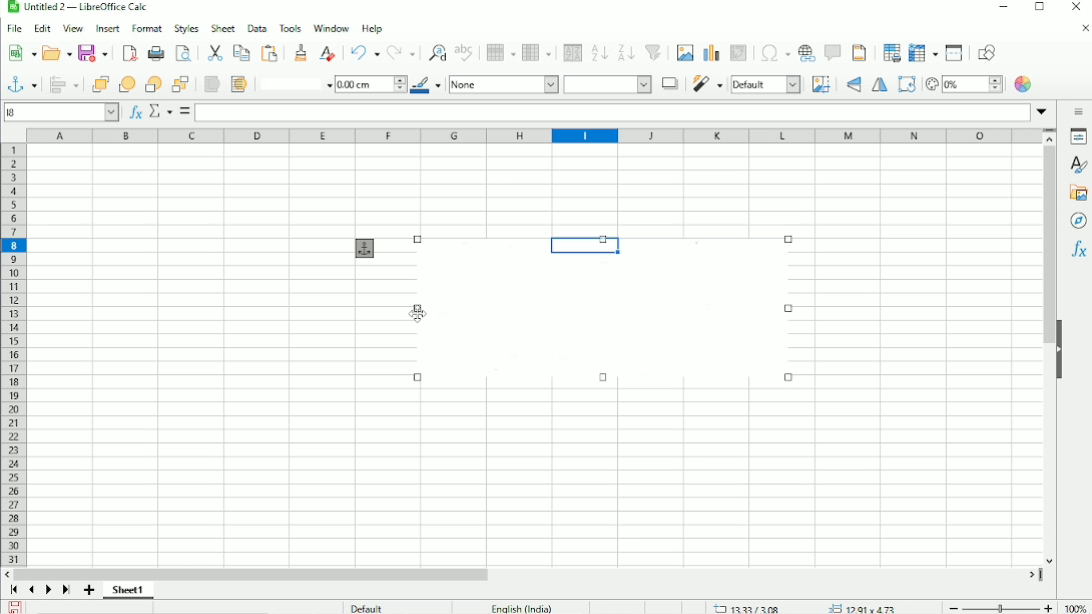  What do you see at coordinates (710, 52) in the screenshot?
I see `Insert chart` at bounding box center [710, 52].